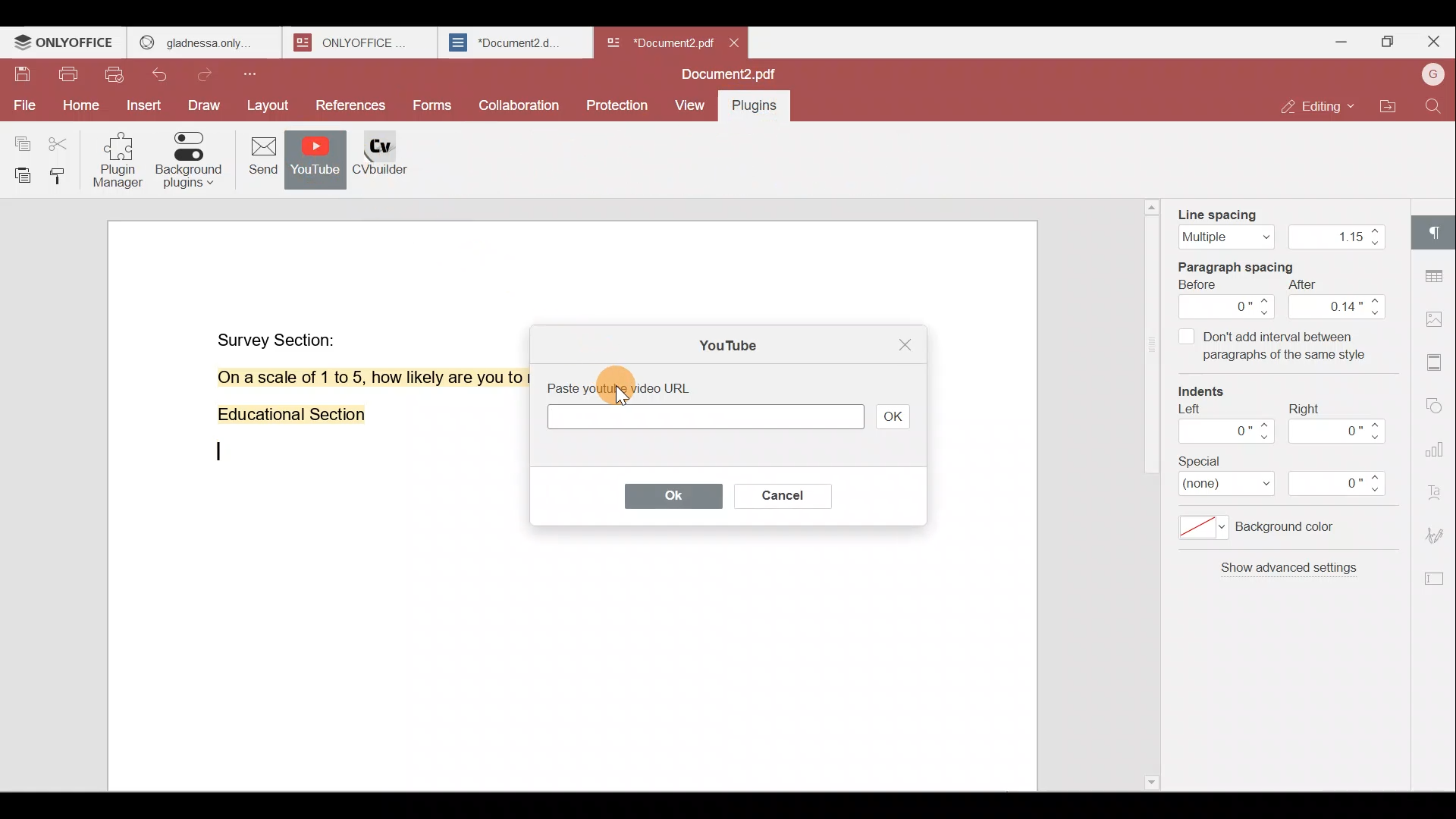 This screenshot has height=819, width=1456. Describe the element at coordinates (690, 106) in the screenshot. I see `View` at that location.